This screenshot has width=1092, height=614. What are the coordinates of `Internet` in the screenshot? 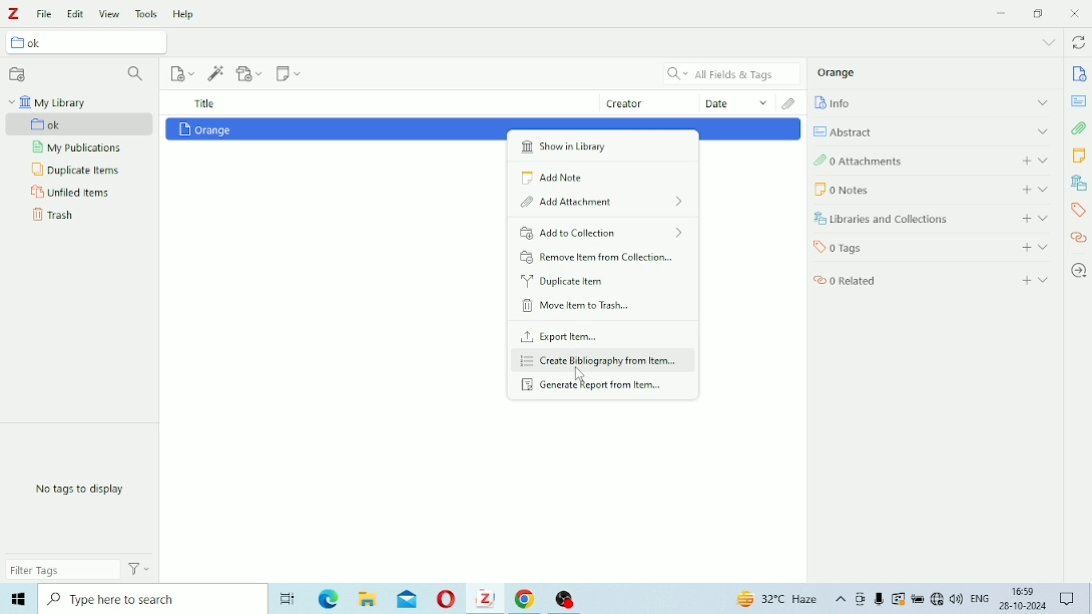 It's located at (937, 600).